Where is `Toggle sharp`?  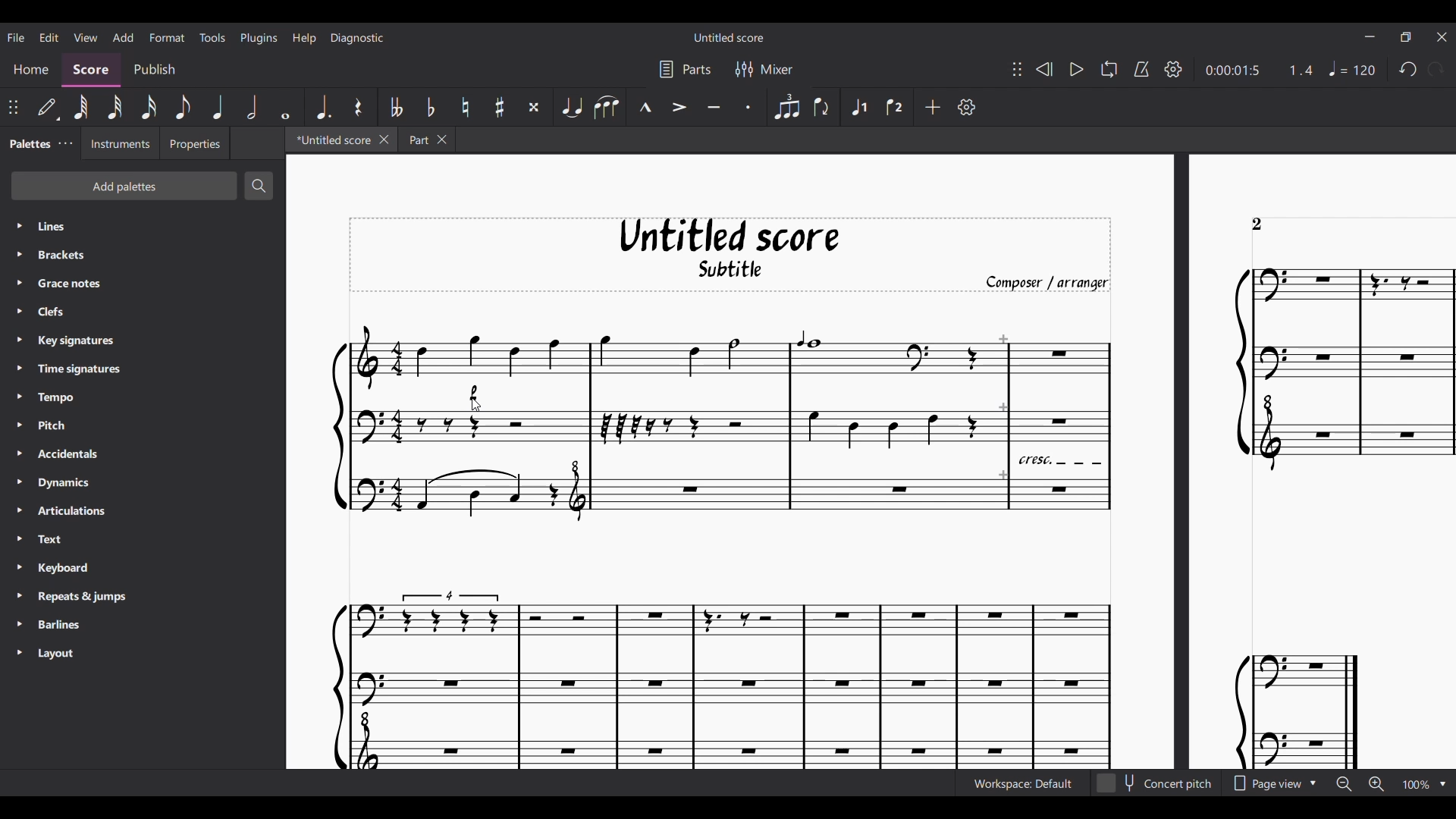
Toggle sharp is located at coordinates (500, 107).